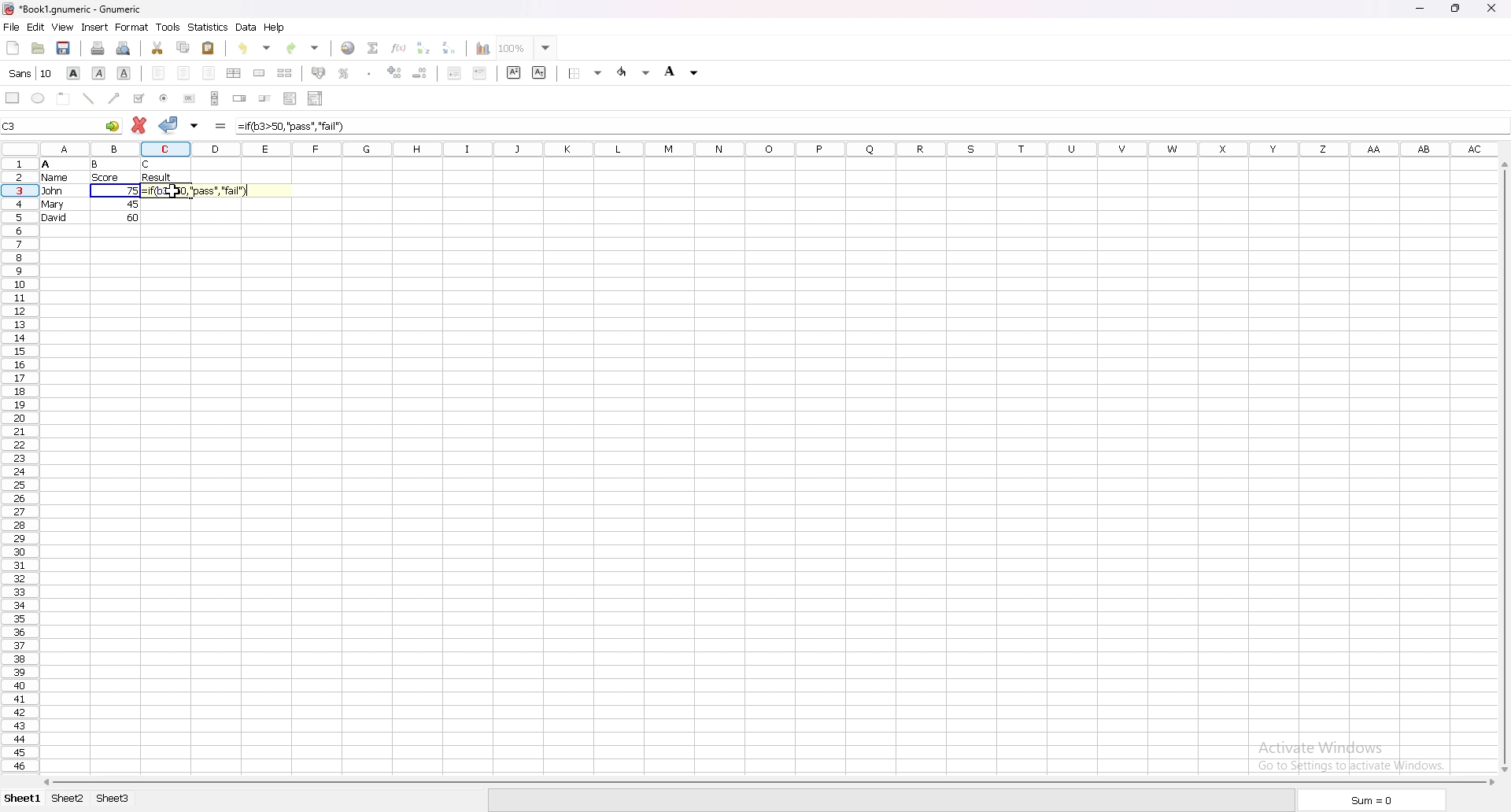  What do you see at coordinates (116, 800) in the screenshot?
I see `sheet 3` at bounding box center [116, 800].